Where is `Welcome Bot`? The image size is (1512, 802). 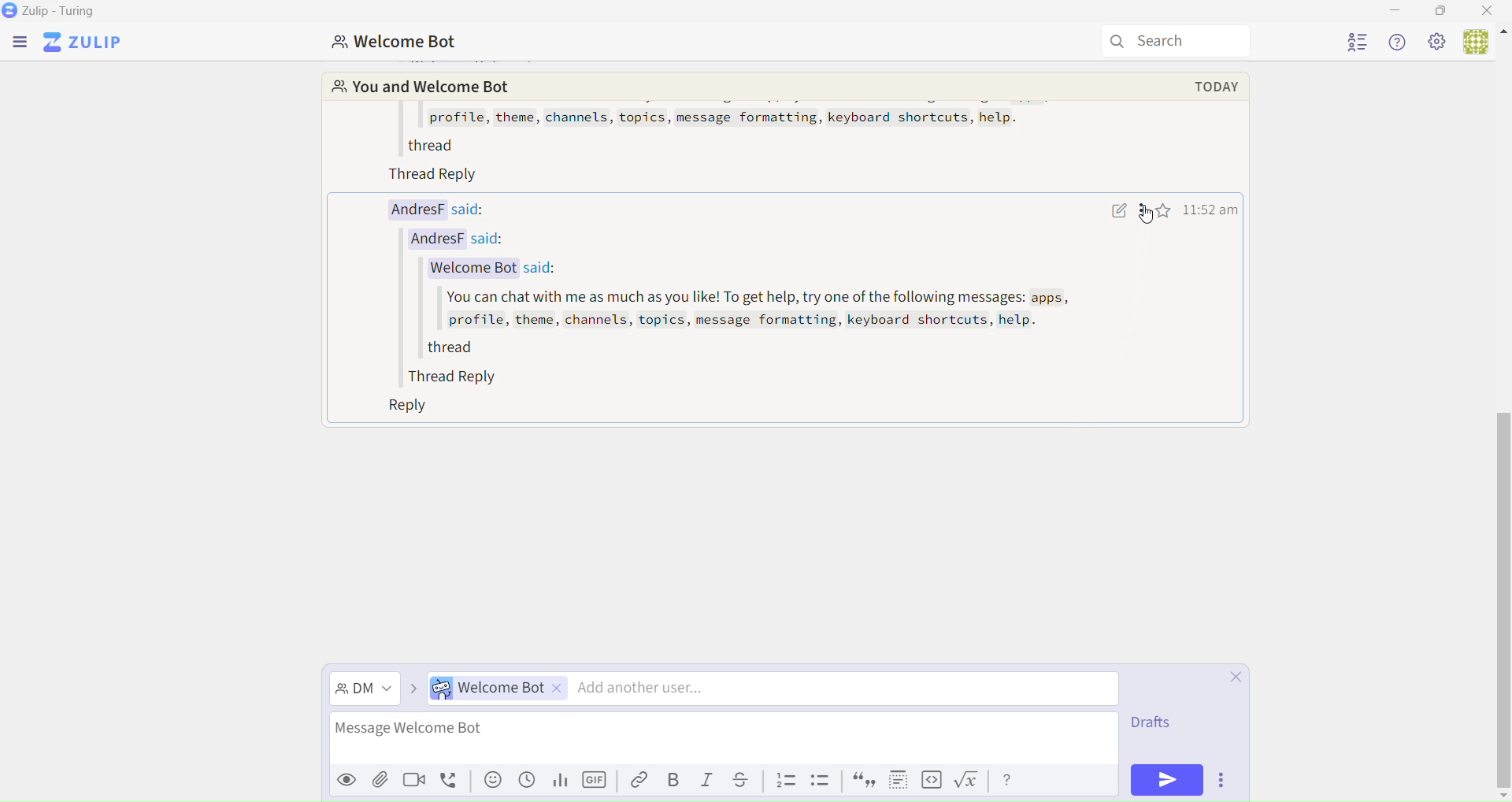
Welcome Bot is located at coordinates (398, 44).